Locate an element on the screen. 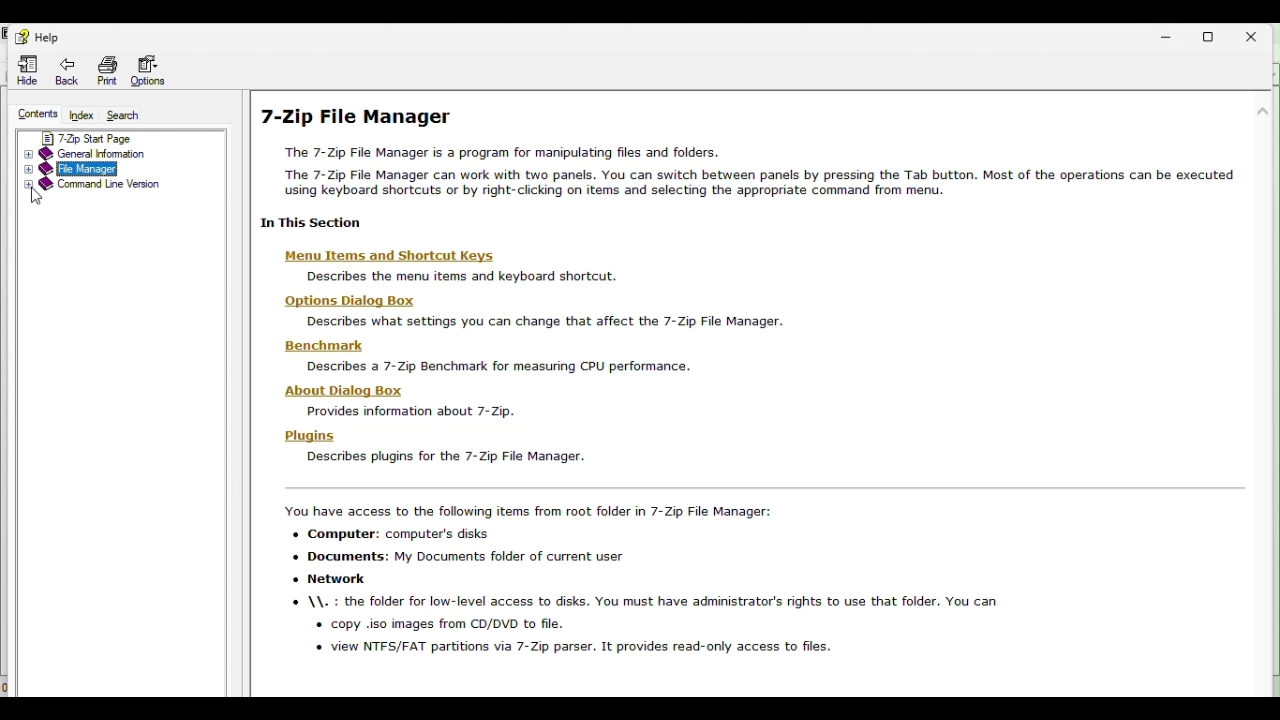 Image resolution: width=1280 pixels, height=720 pixels. | In This Section is located at coordinates (307, 224).